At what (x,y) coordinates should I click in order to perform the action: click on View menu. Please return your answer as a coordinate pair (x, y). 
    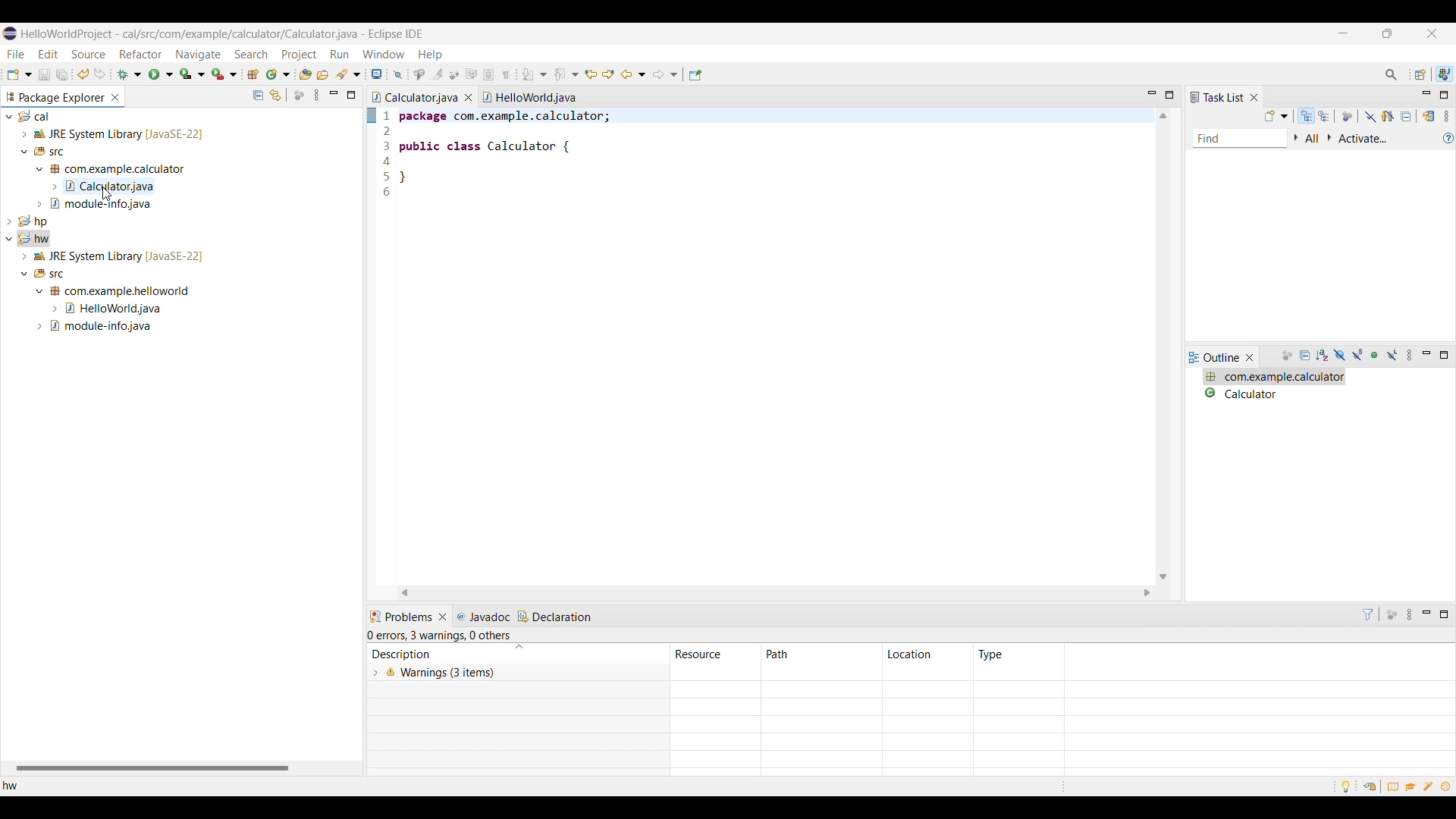
    Looking at the image, I should click on (316, 95).